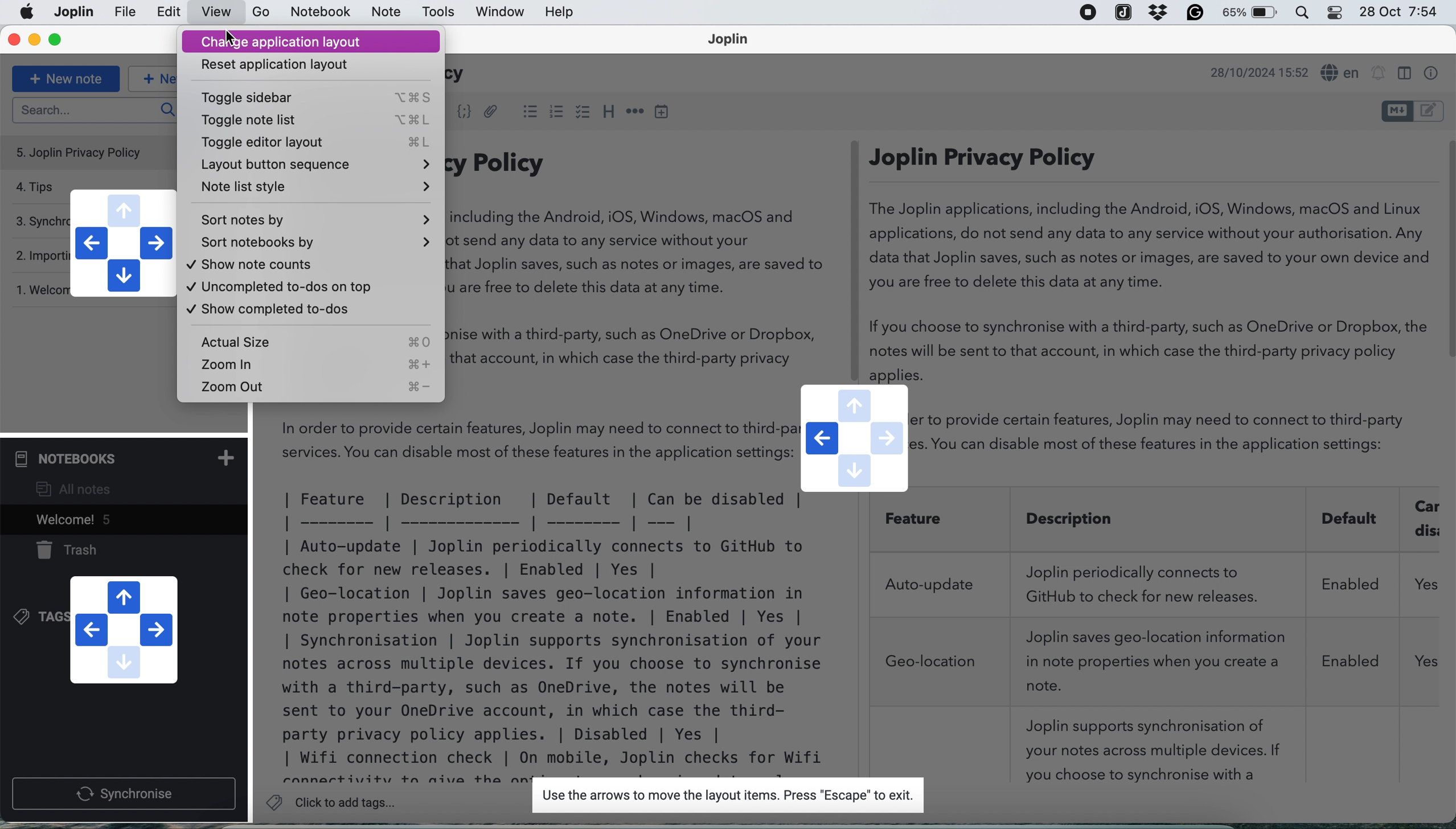 The width and height of the screenshot is (1456, 829). Describe the element at coordinates (126, 13) in the screenshot. I see `joplin` at that location.